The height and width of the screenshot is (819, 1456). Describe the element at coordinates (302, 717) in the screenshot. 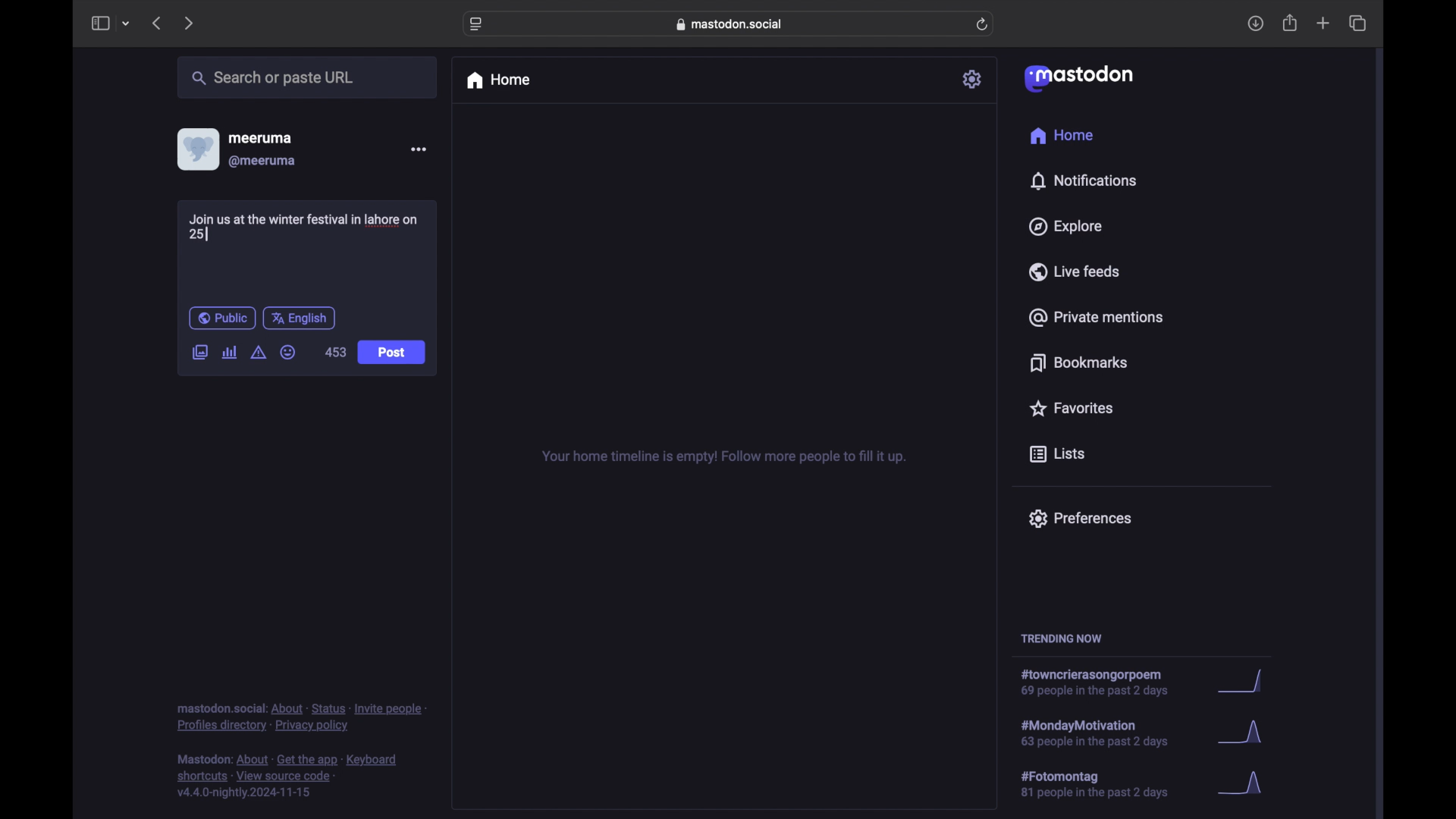

I see `footnote` at that location.